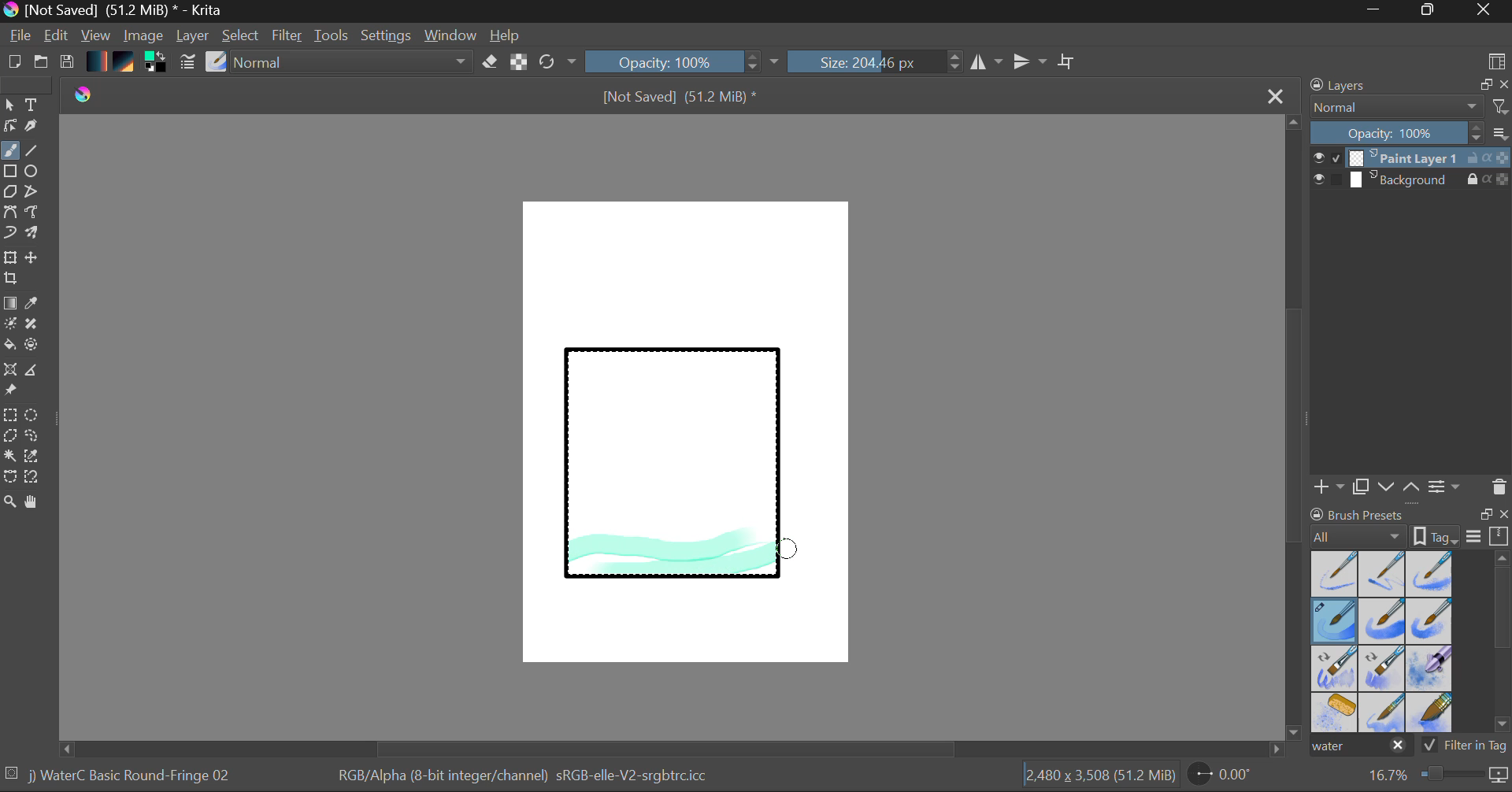 The width and height of the screenshot is (1512, 792). What do you see at coordinates (1496, 60) in the screenshot?
I see `Choose Workspace` at bounding box center [1496, 60].